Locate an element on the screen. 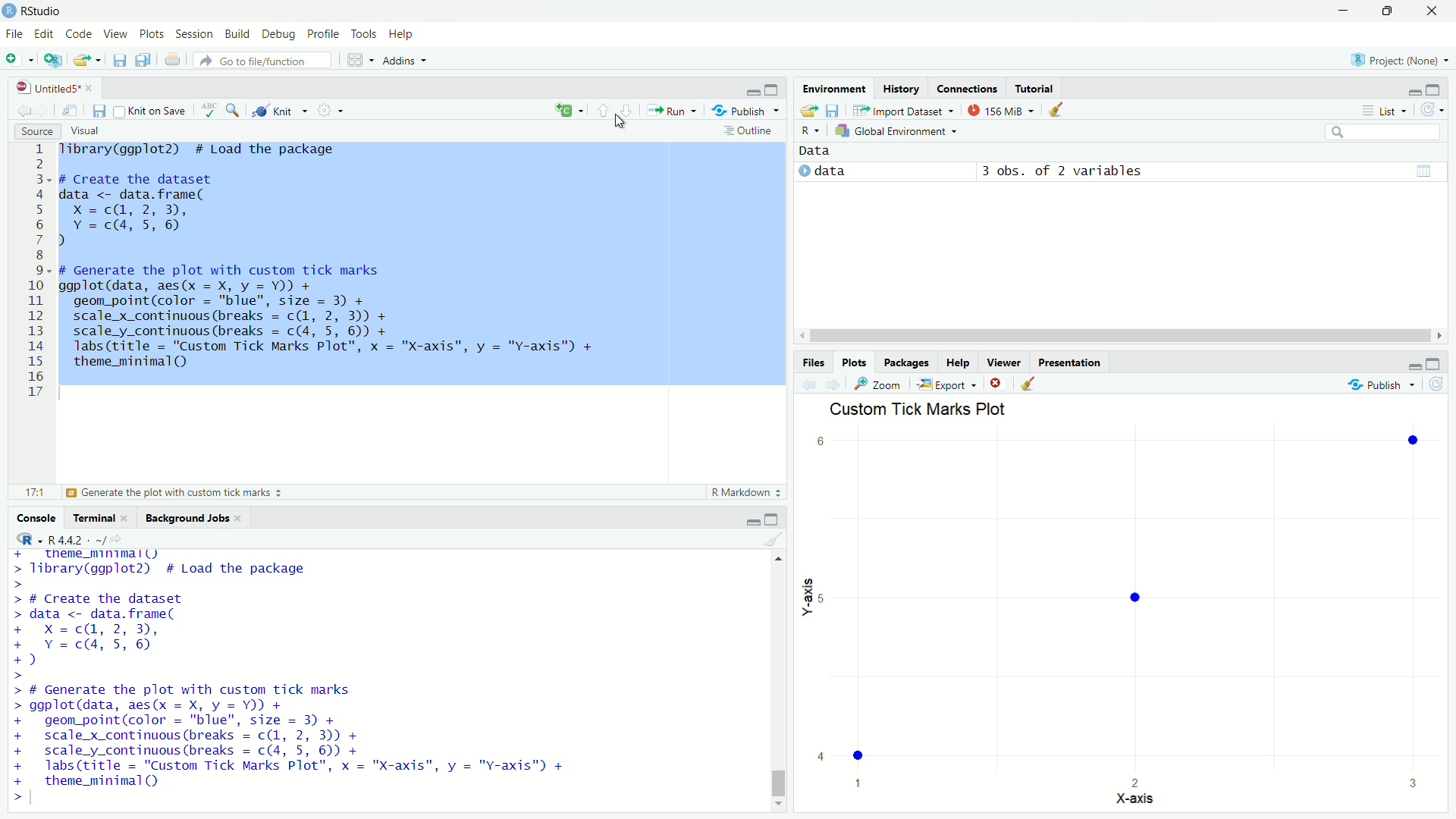 This screenshot has height=819, width=1456. remove the current plot is located at coordinates (998, 384).